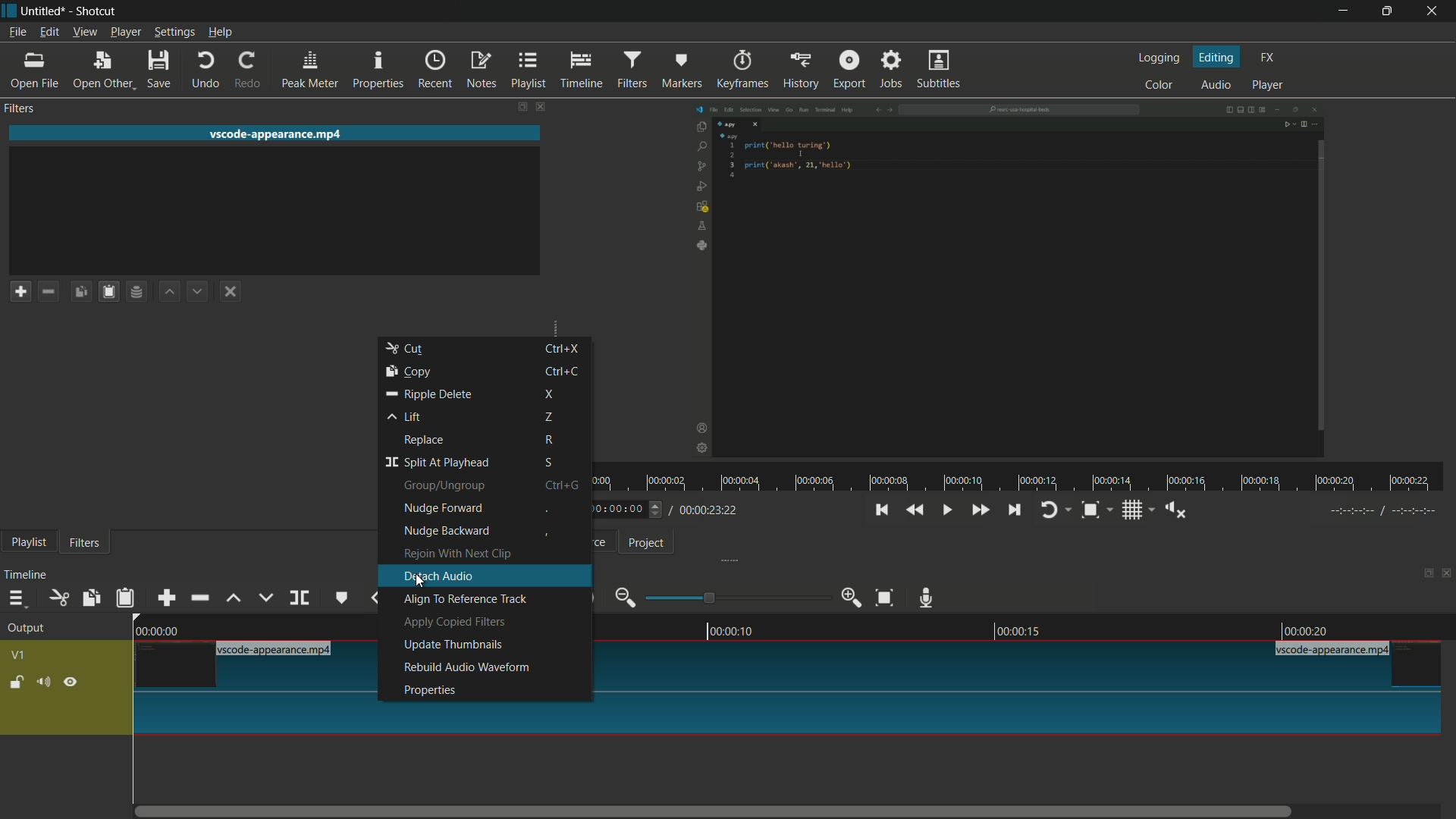  Describe the element at coordinates (221, 33) in the screenshot. I see `help menu` at that location.